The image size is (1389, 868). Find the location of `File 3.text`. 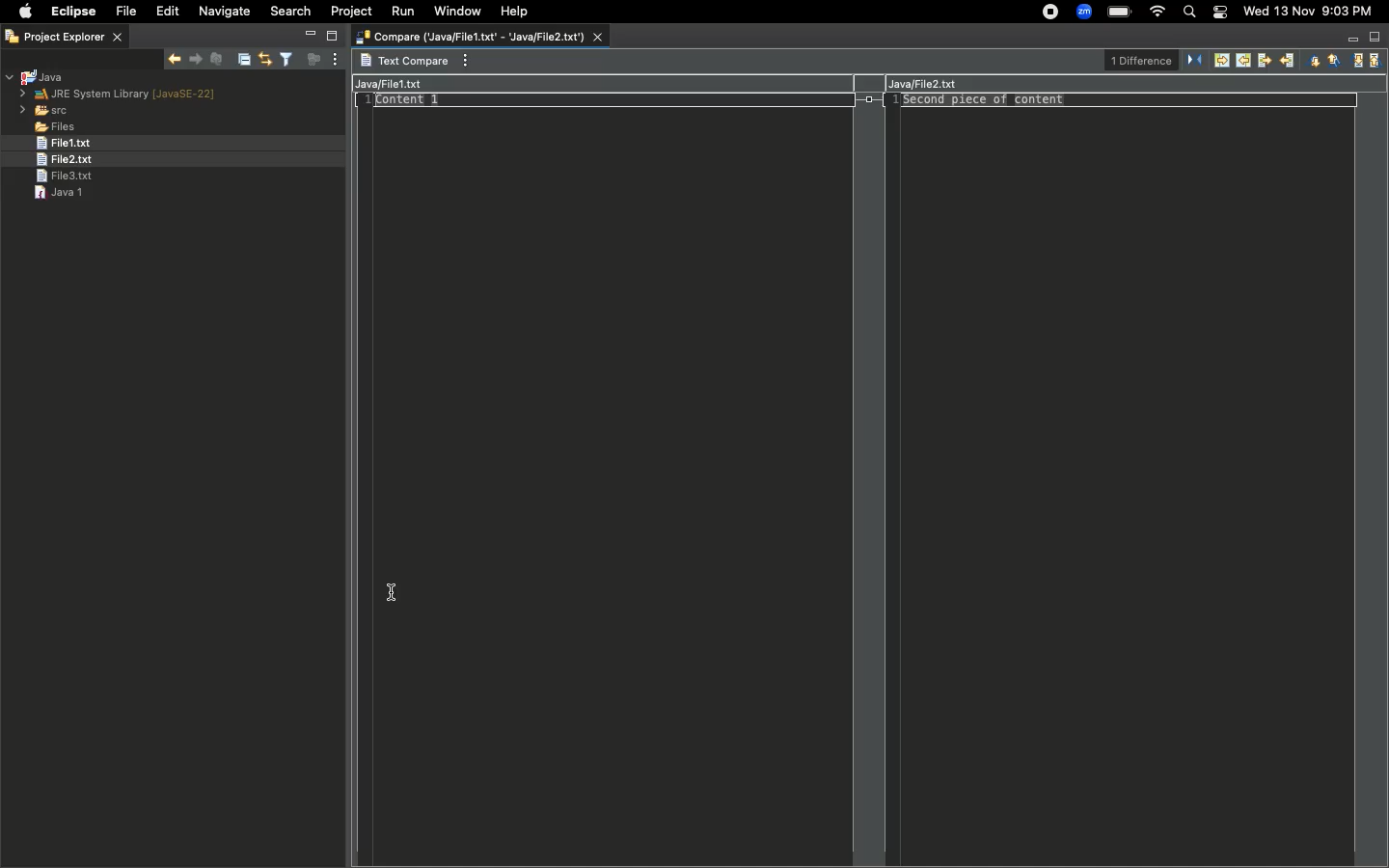

File 3.text is located at coordinates (60, 176).